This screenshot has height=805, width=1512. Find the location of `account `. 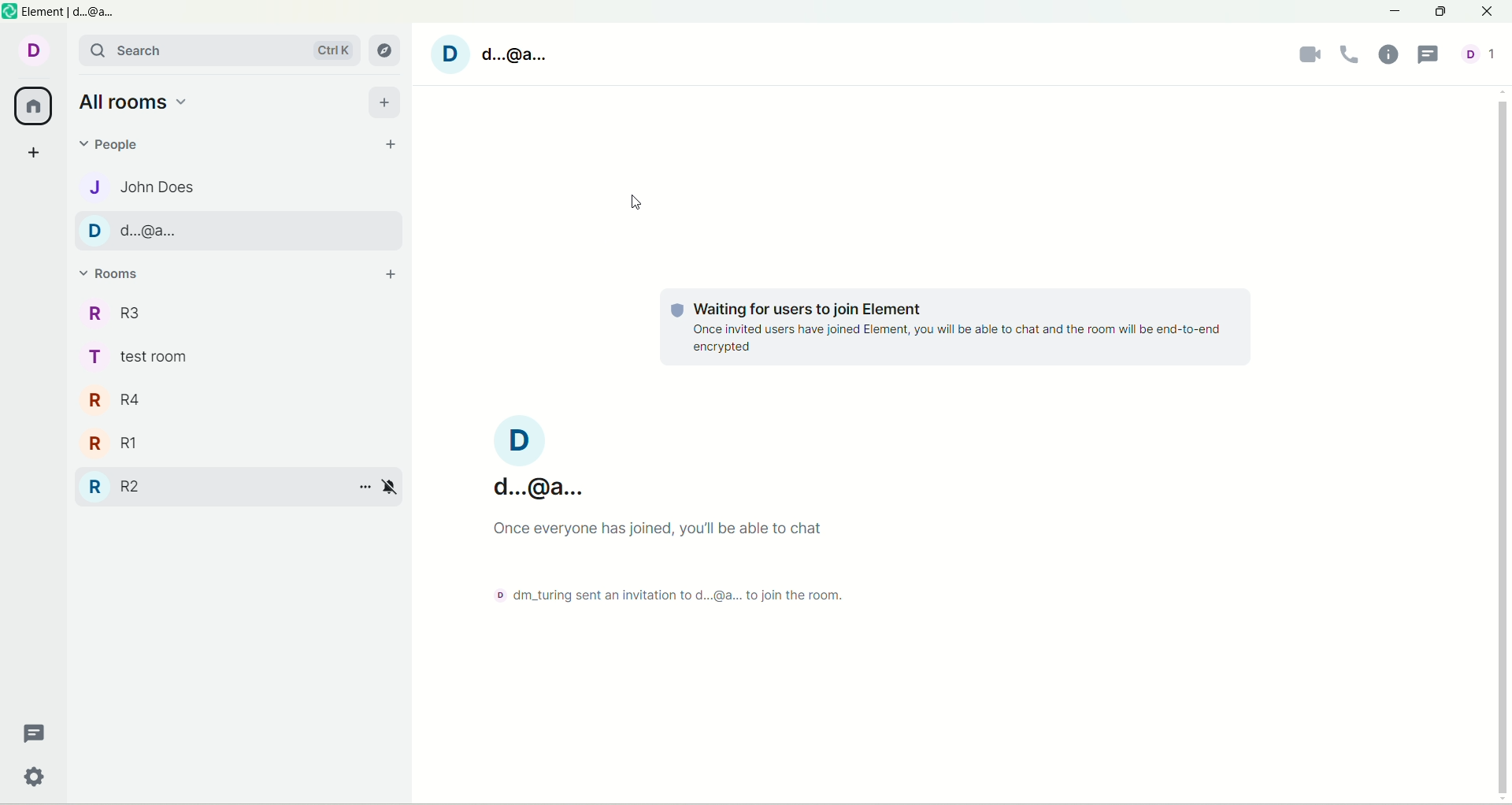

account  is located at coordinates (135, 231).